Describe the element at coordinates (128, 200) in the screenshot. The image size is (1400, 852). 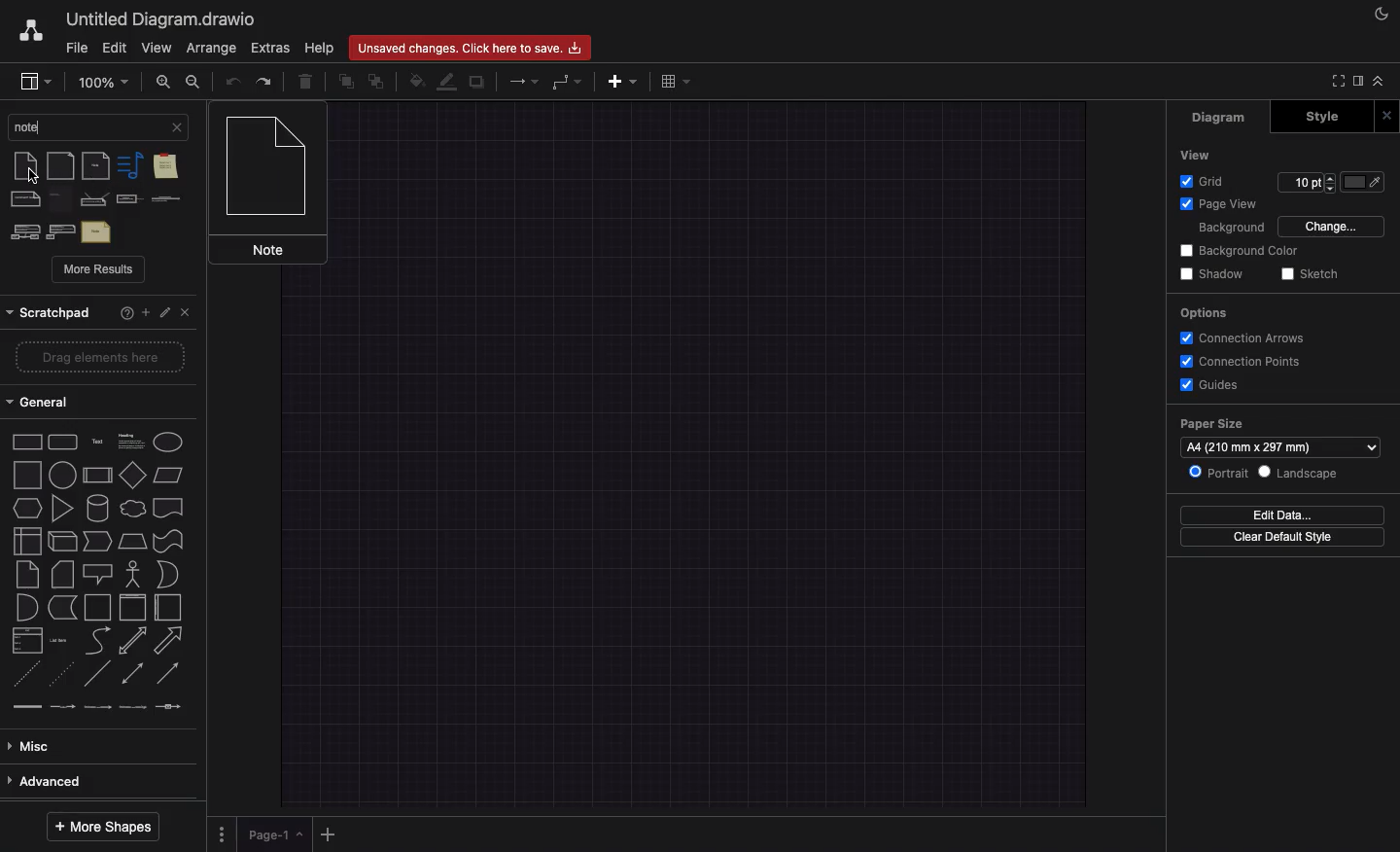
I see `constraint textual note` at that location.